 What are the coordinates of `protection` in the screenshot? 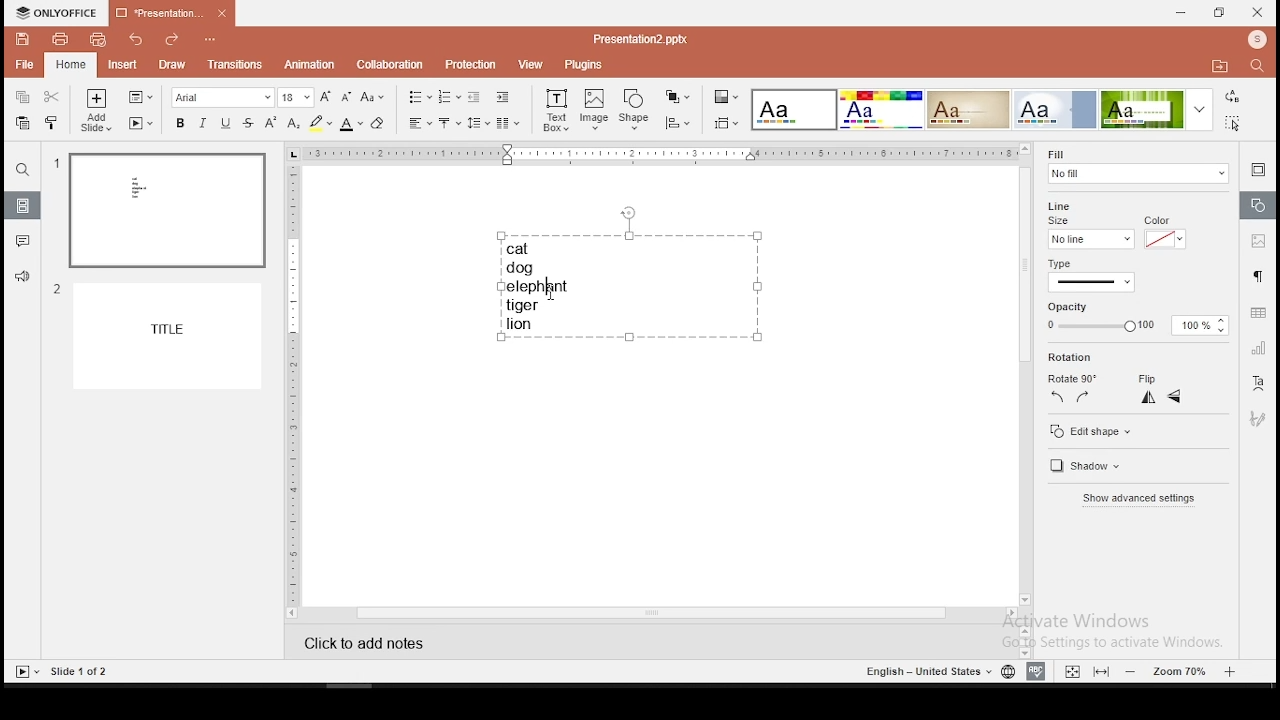 It's located at (470, 63).